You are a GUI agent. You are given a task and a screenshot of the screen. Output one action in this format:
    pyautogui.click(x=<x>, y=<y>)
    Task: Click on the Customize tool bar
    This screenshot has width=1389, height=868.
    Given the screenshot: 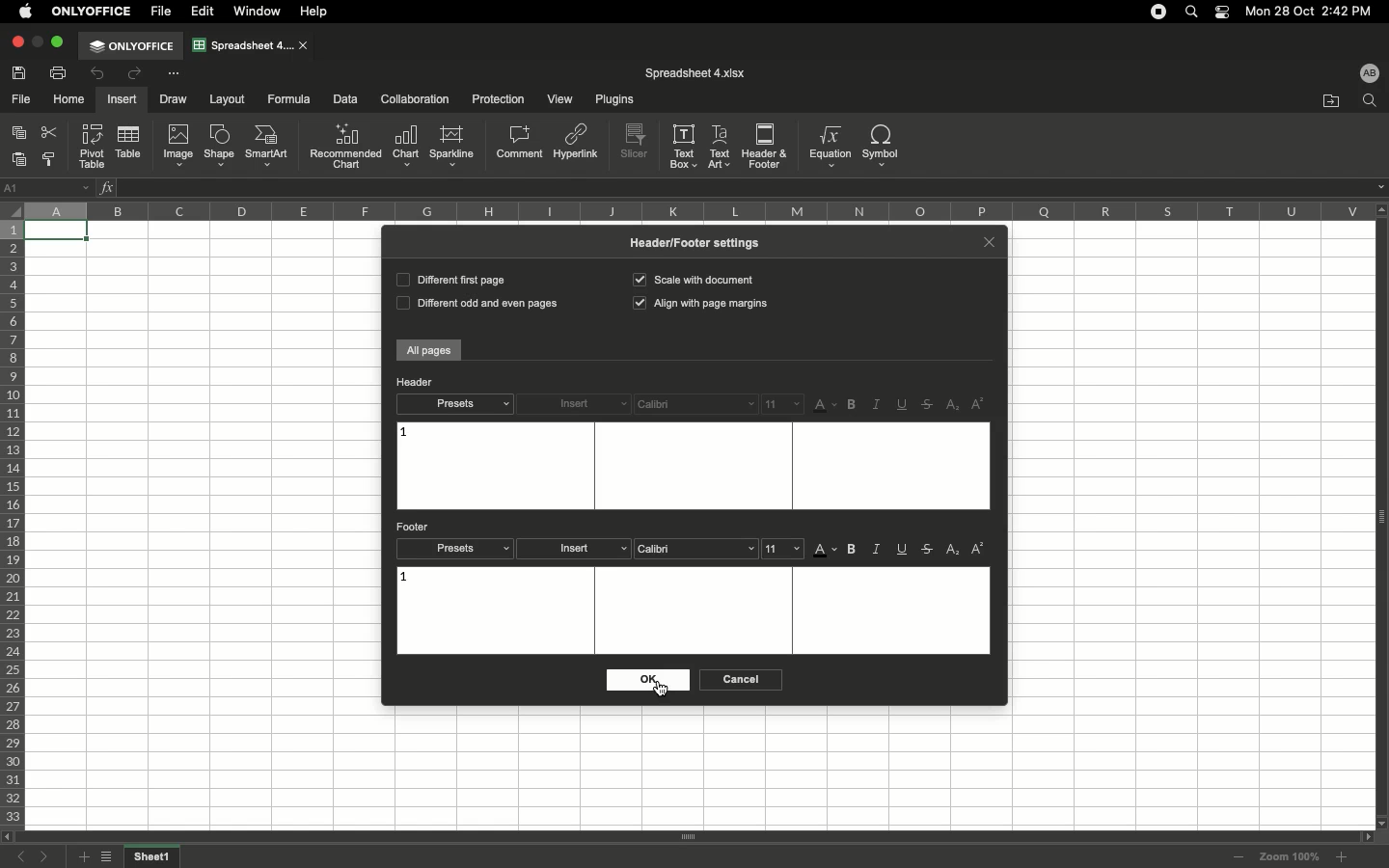 What is the action you would take?
    pyautogui.click(x=173, y=72)
    